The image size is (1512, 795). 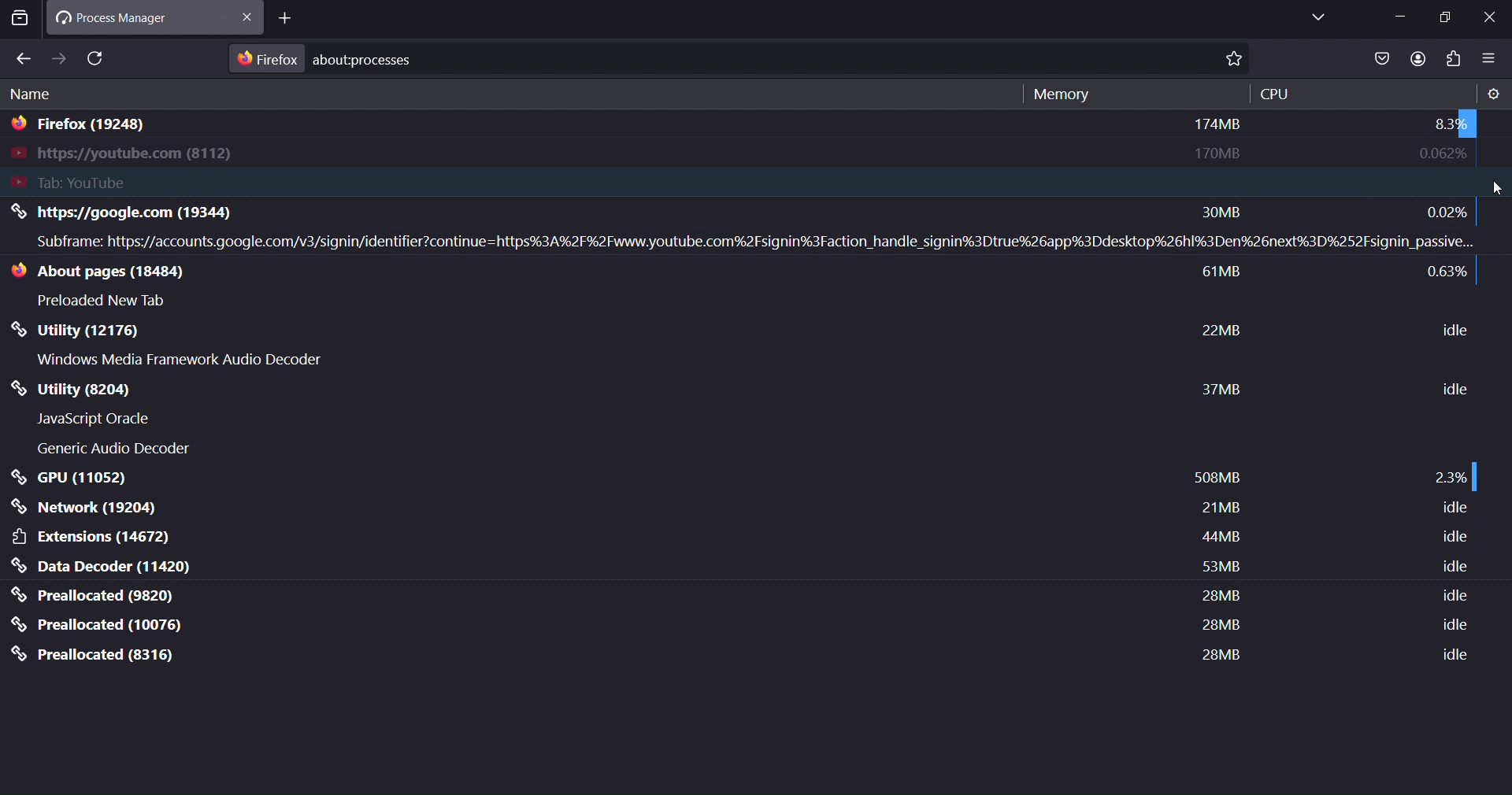 What do you see at coordinates (131, 17) in the screenshot?
I see `process manager` at bounding box center [131, 17].